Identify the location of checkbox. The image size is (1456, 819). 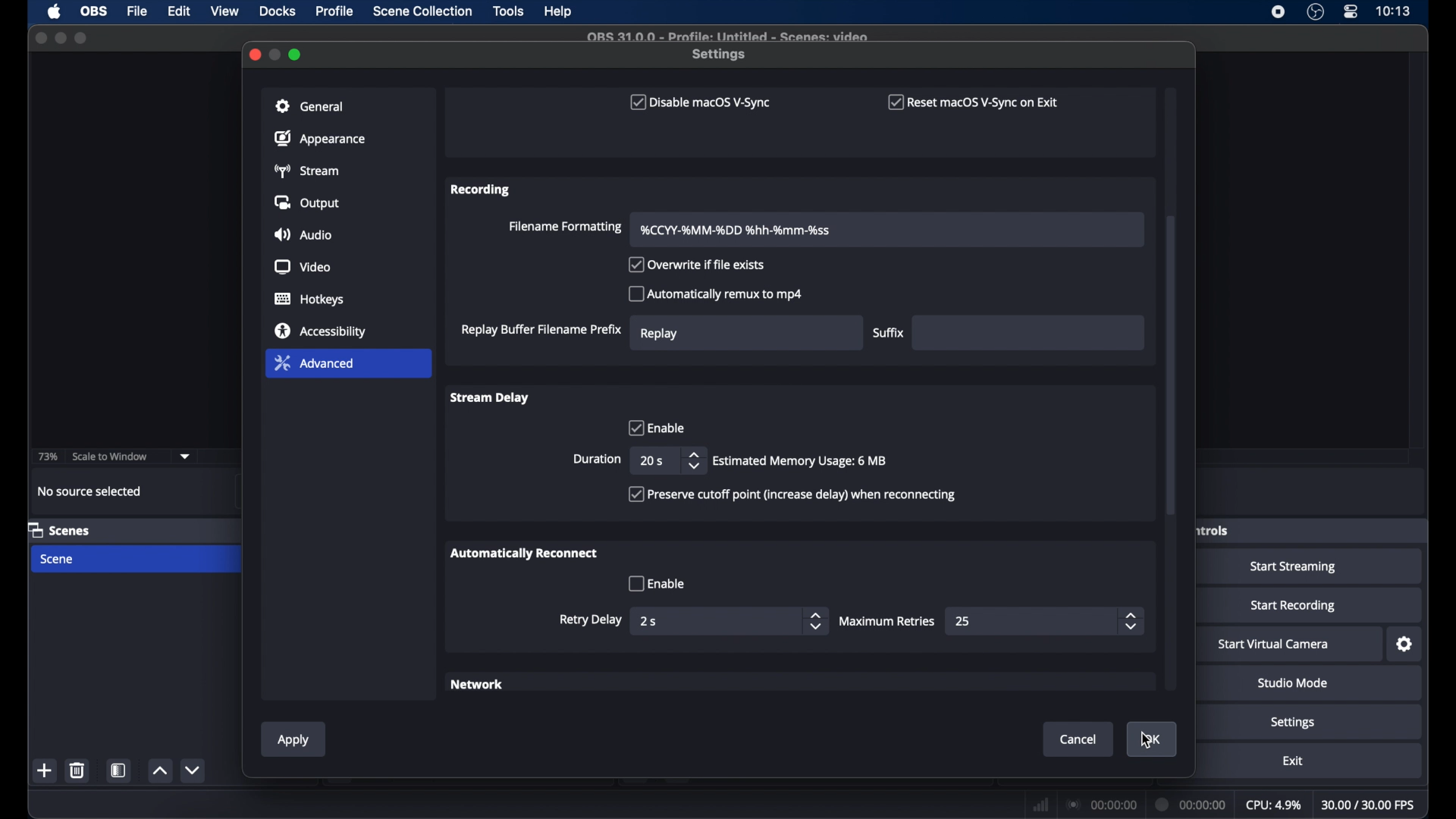
(792, 494).